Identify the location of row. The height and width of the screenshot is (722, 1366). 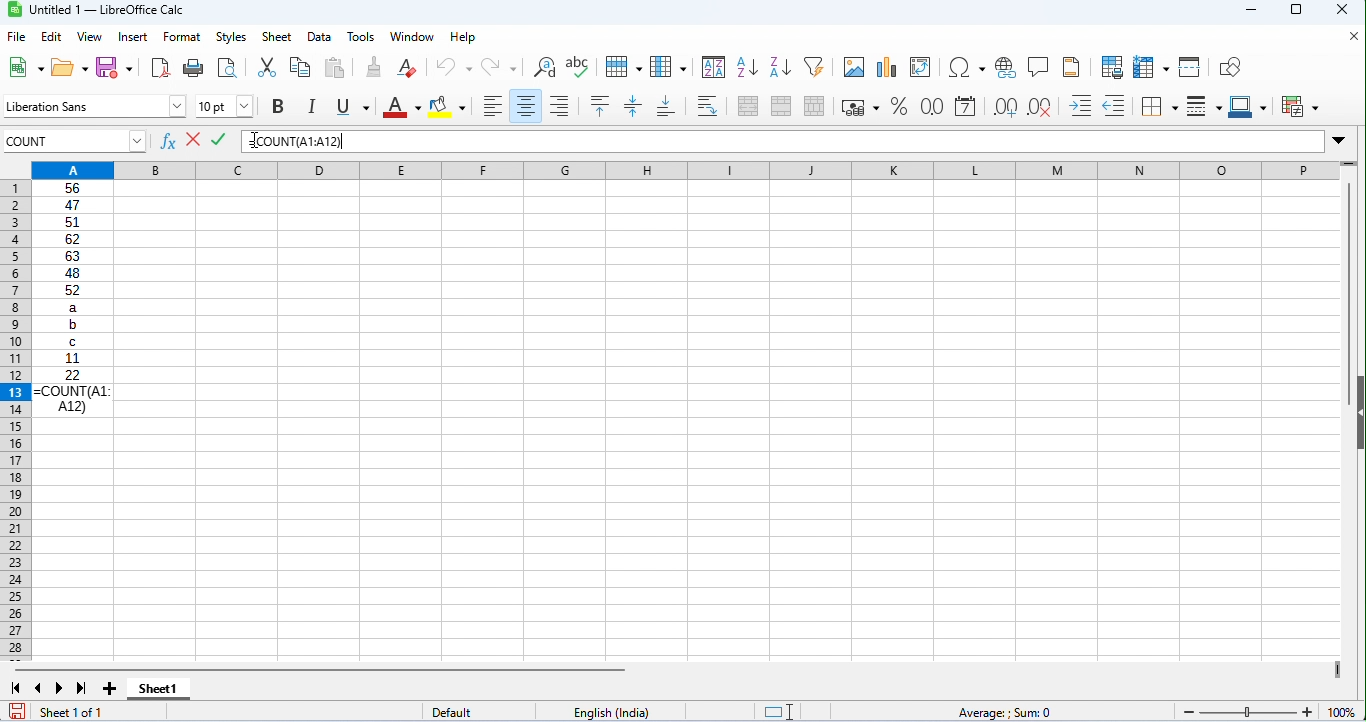
(622, 65).